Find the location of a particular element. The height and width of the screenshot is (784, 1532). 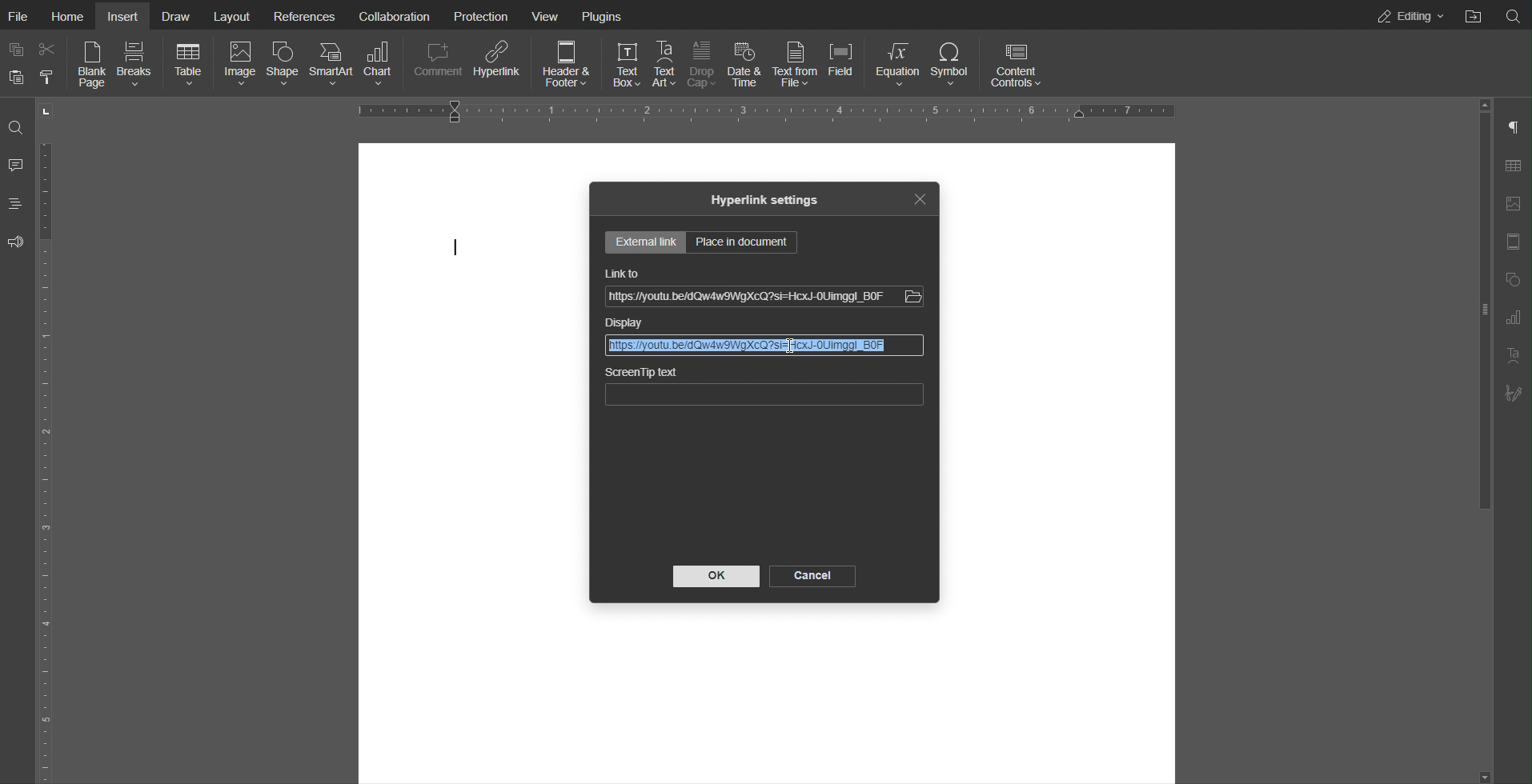

Cancel is located at coordinates (812, 576).